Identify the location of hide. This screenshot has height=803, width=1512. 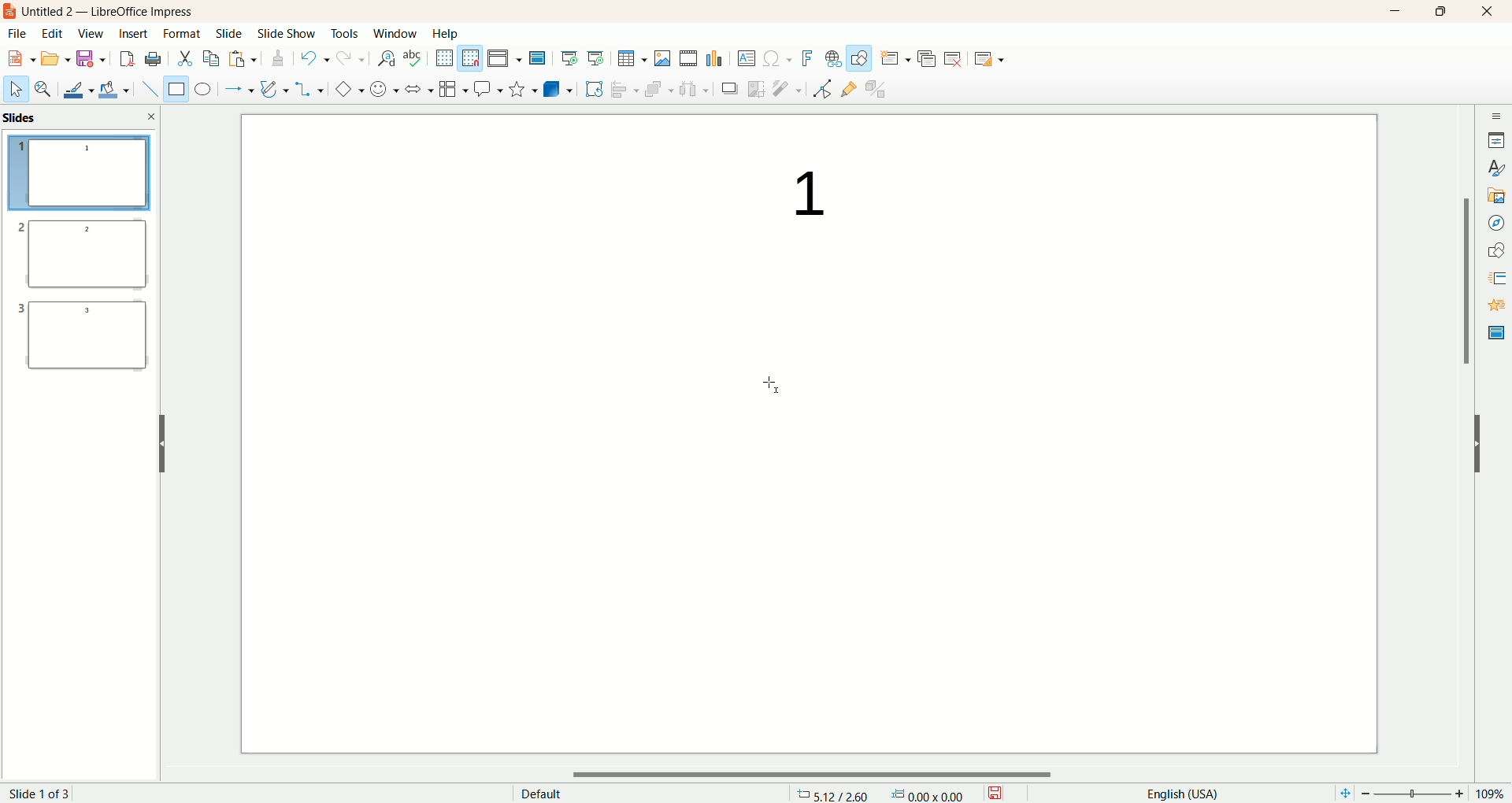
(1485, 448).